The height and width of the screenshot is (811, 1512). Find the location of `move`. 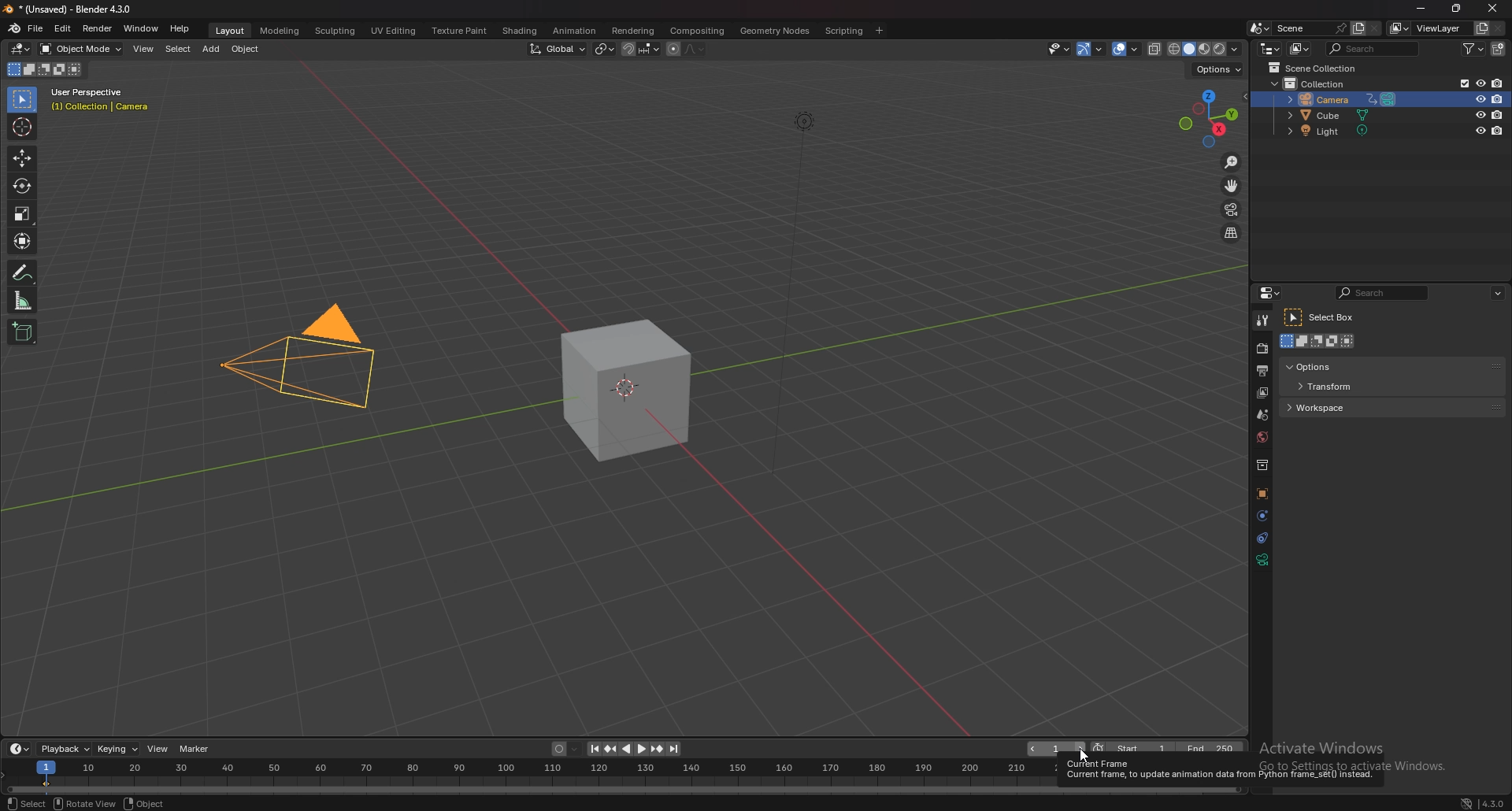

move is located at coordinates (1231, 185).